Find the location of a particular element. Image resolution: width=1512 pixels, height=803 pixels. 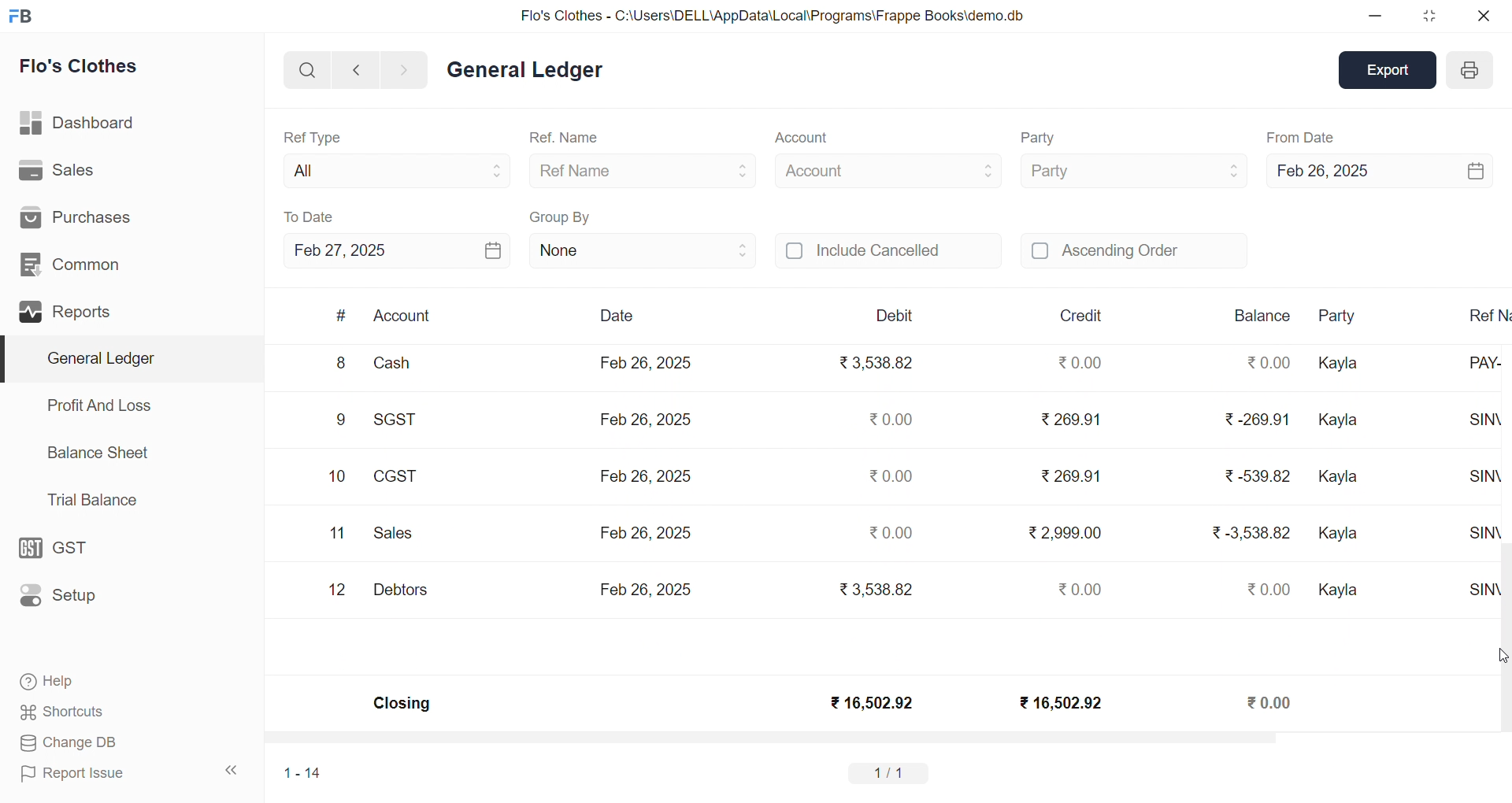

₹ 16,502.92 is located at coordinates (1058, 701).